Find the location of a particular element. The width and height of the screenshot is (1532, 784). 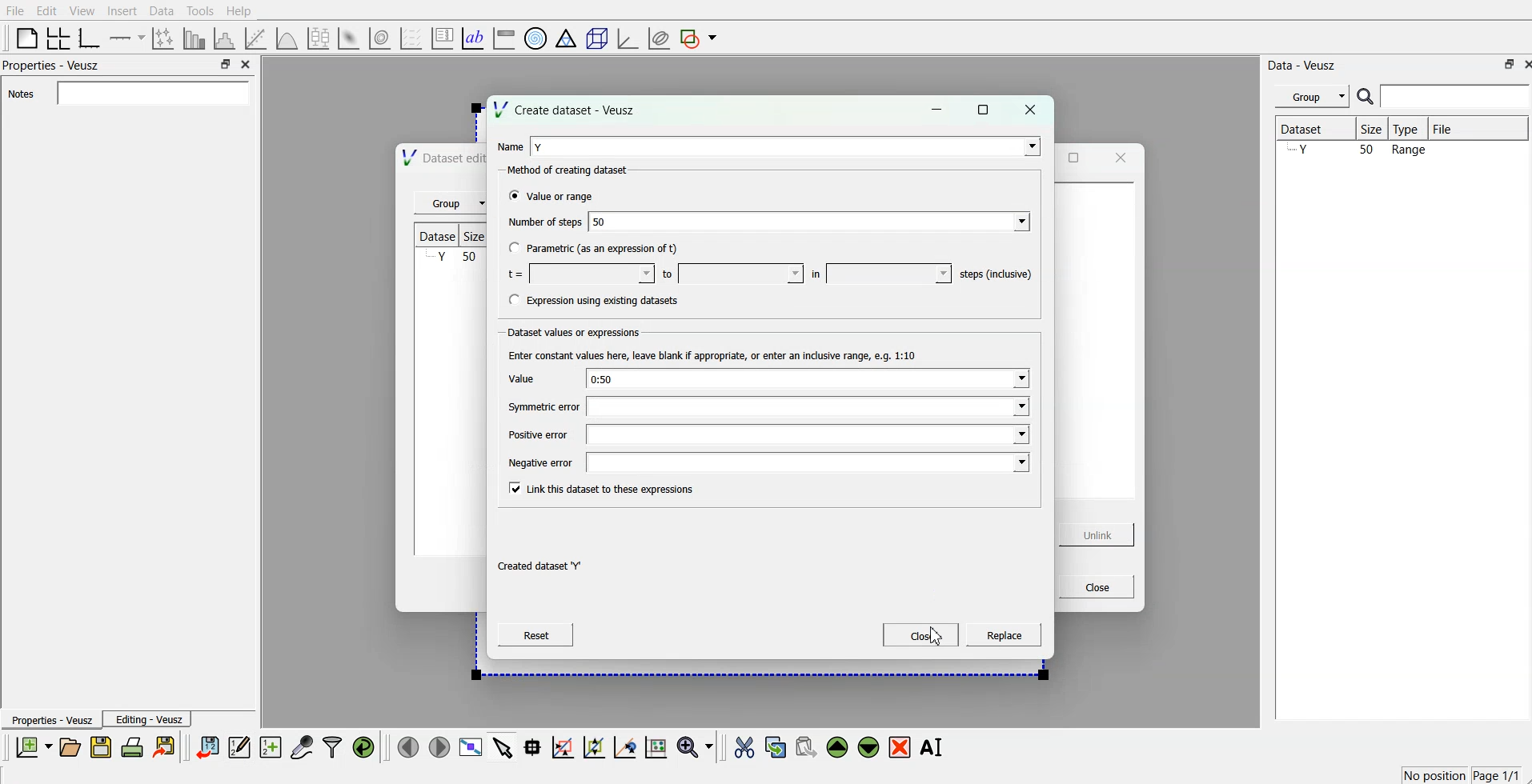

view data points full screen is located at coordinates (468, 748).